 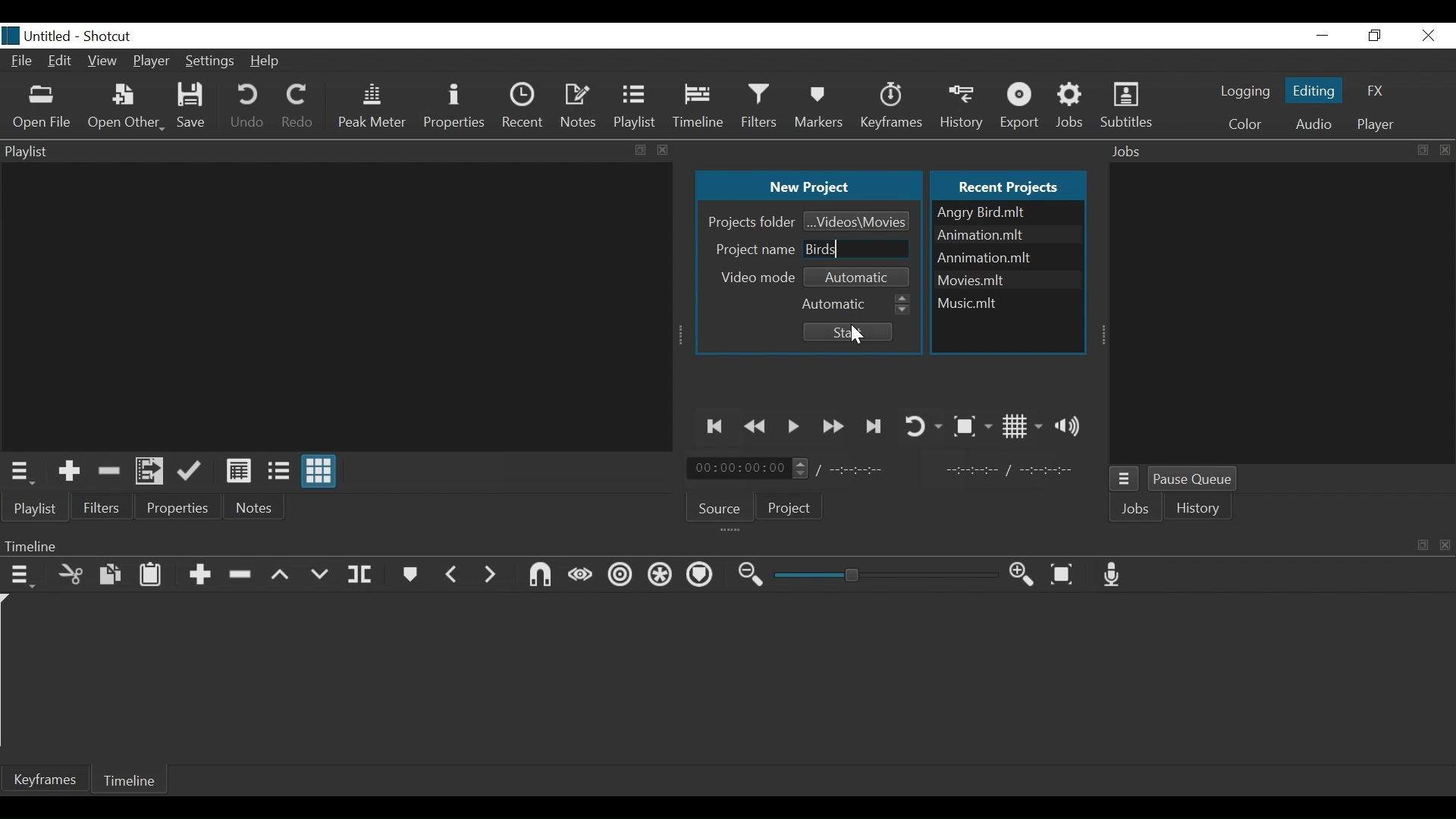 I want to click on Open Other, so click(x=125, y=108).